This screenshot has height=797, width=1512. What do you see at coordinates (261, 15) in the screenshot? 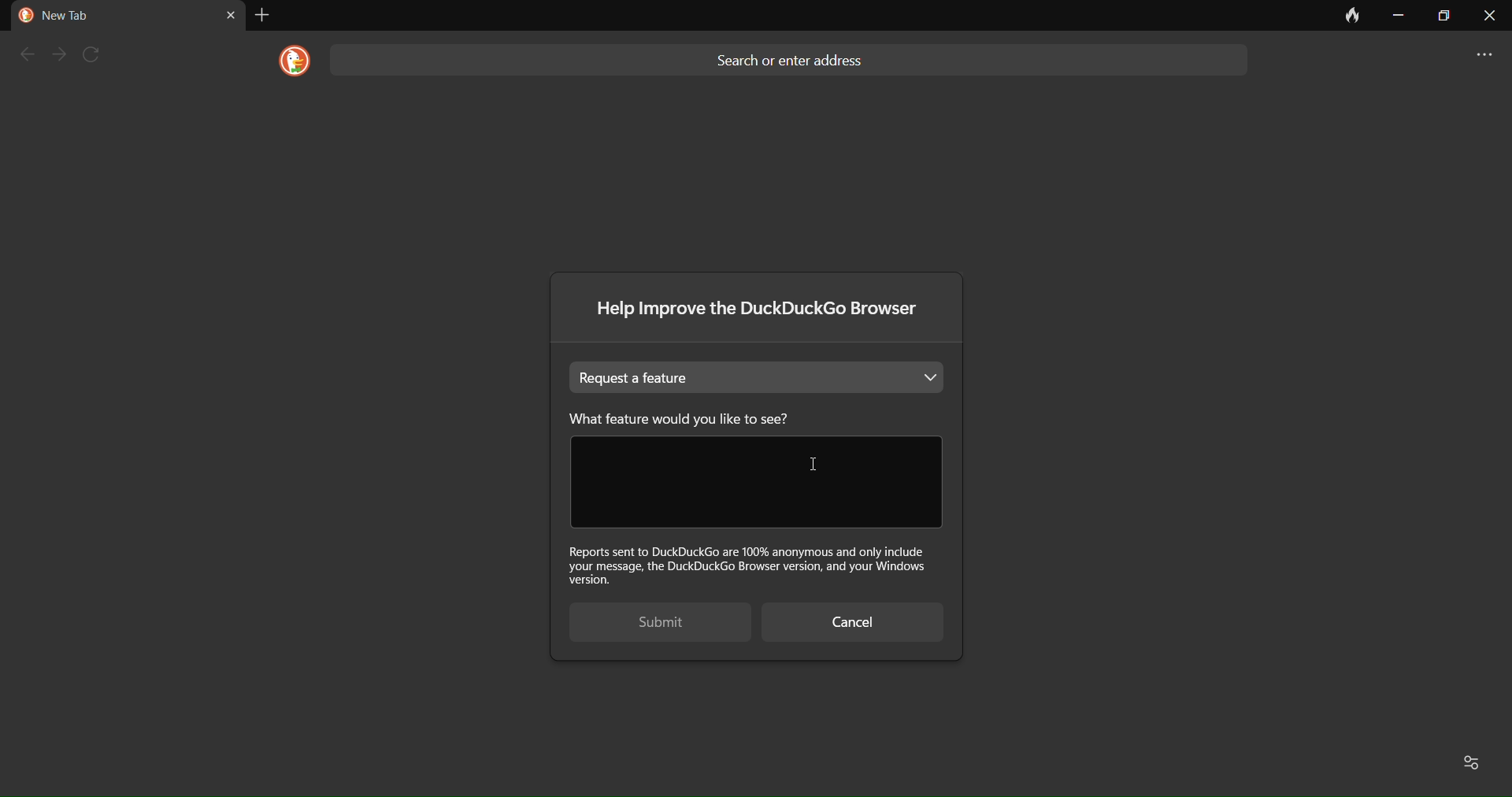
I see `add tab` at bounding box center [261, 15].